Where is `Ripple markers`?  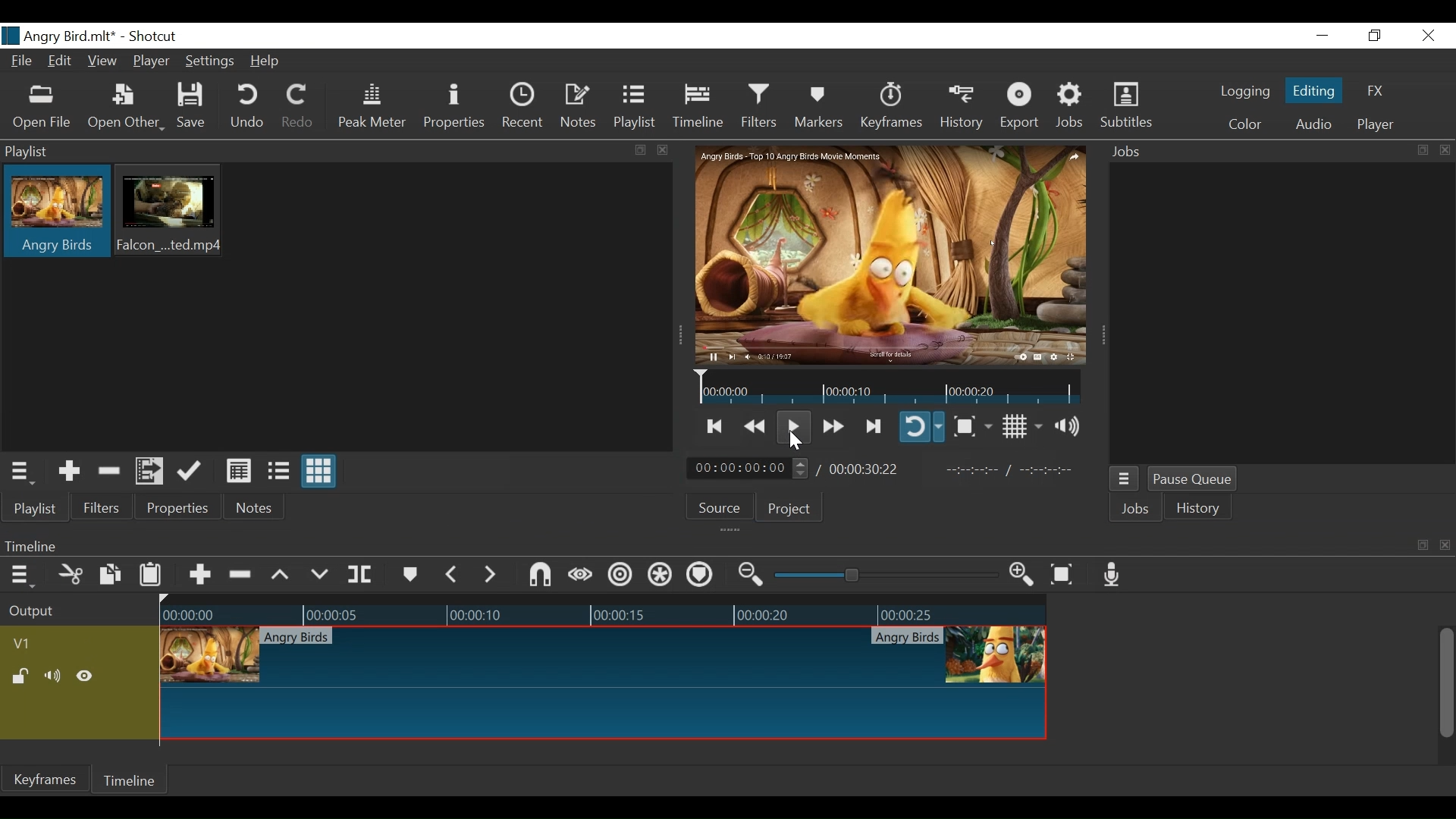
Ripple markers is located at coordinates (699, 576).